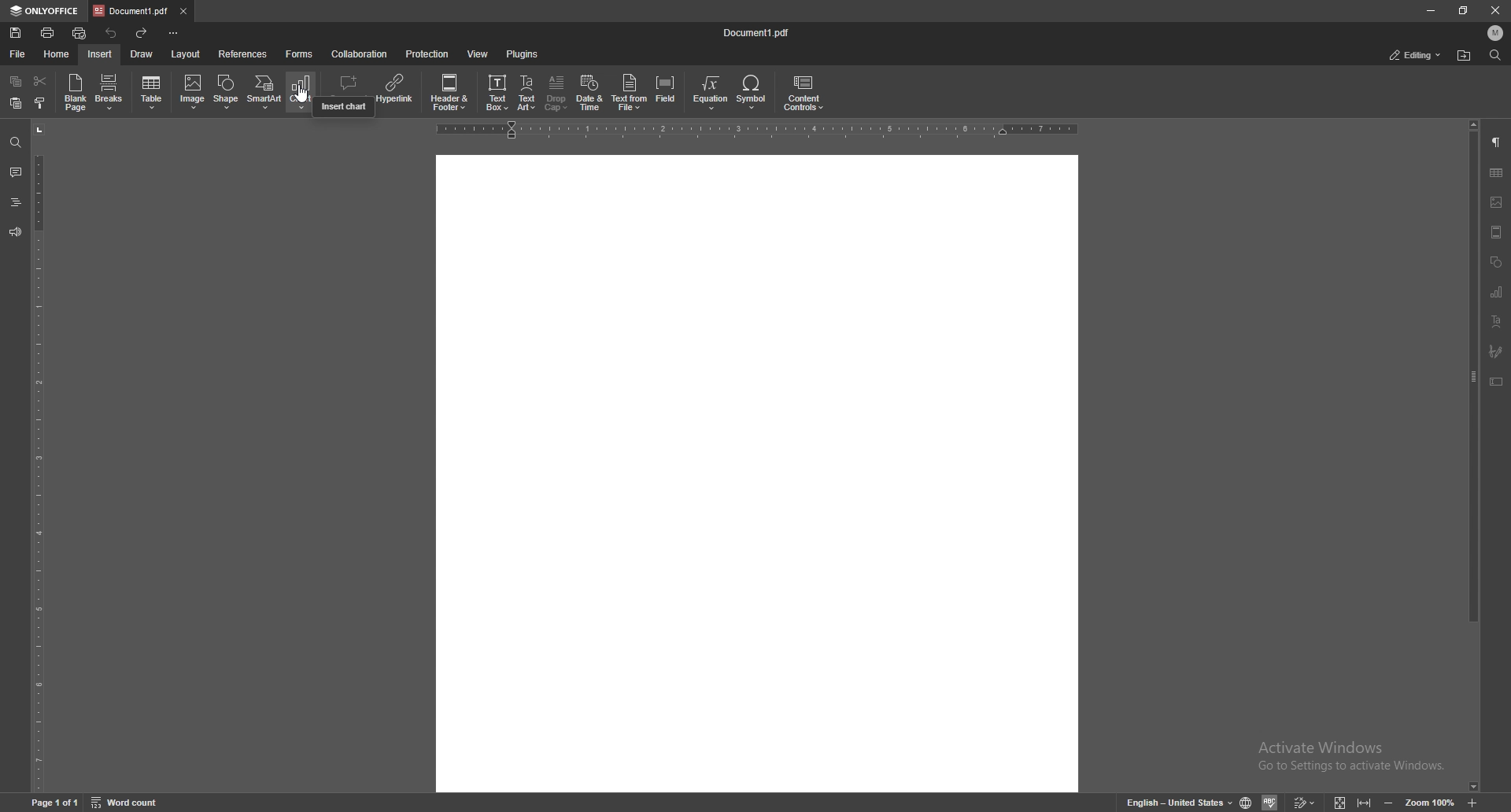 The width and height of the screenshot is (1511, 812). What do you see at coordinates (36, 458) in the screenshot?
I see `vertical scale` at bounding box center [36, 458].